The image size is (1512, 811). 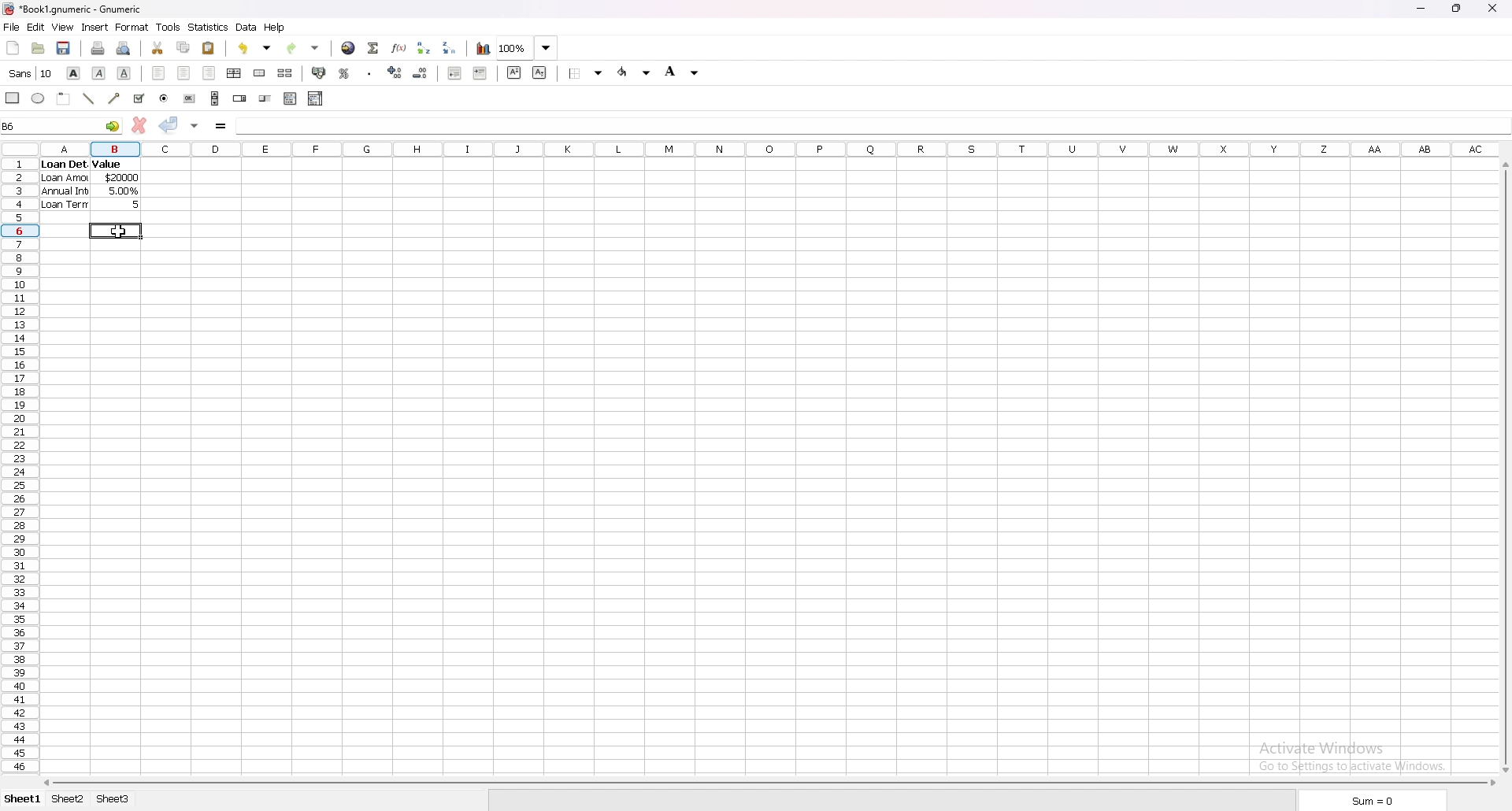 What do you see at coordinates (529, 47) in the screenshot?
I see `zoom` at bounding box center [529, 47].